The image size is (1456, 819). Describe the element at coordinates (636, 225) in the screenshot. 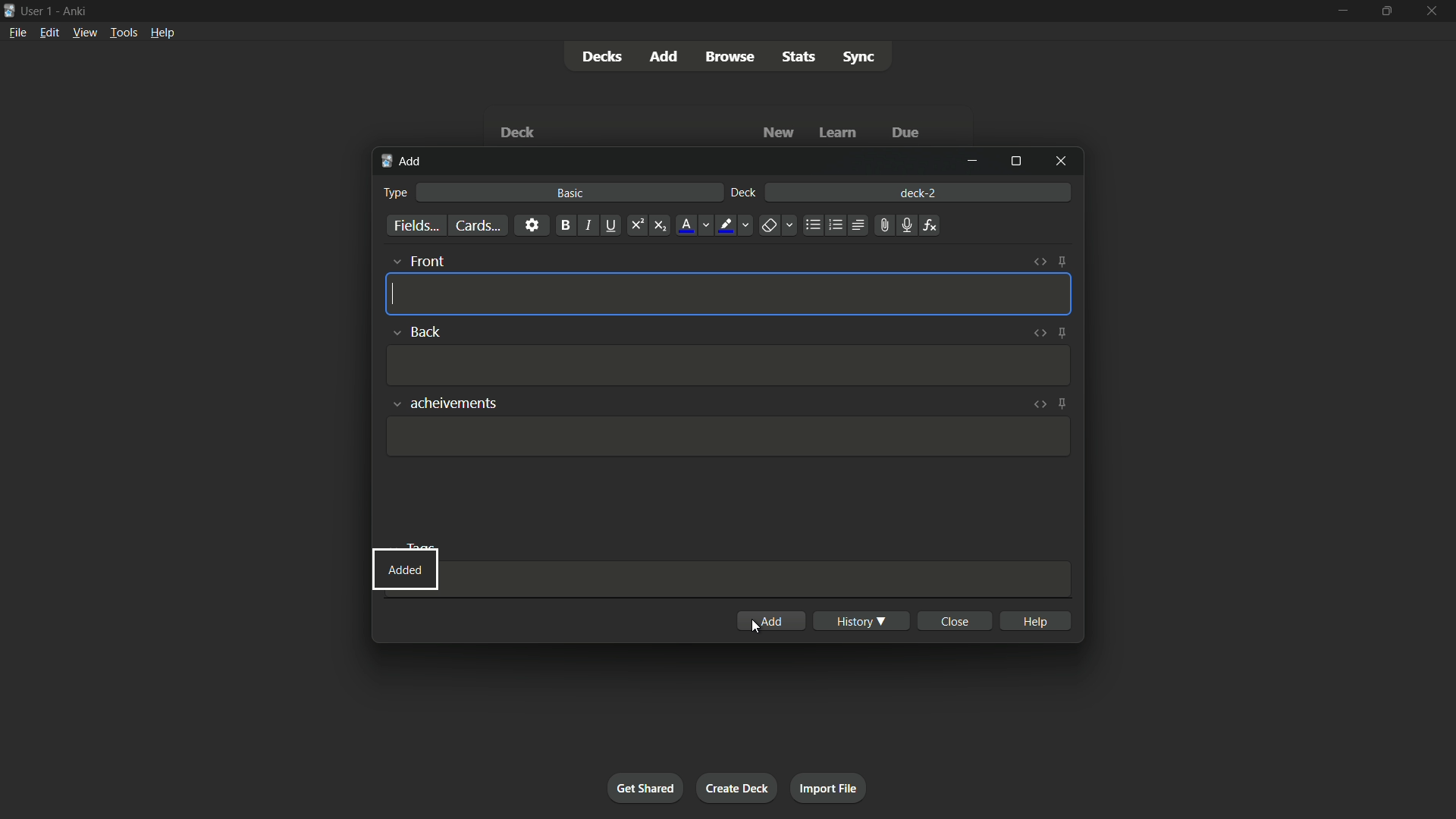

I see `superscript` at that location.